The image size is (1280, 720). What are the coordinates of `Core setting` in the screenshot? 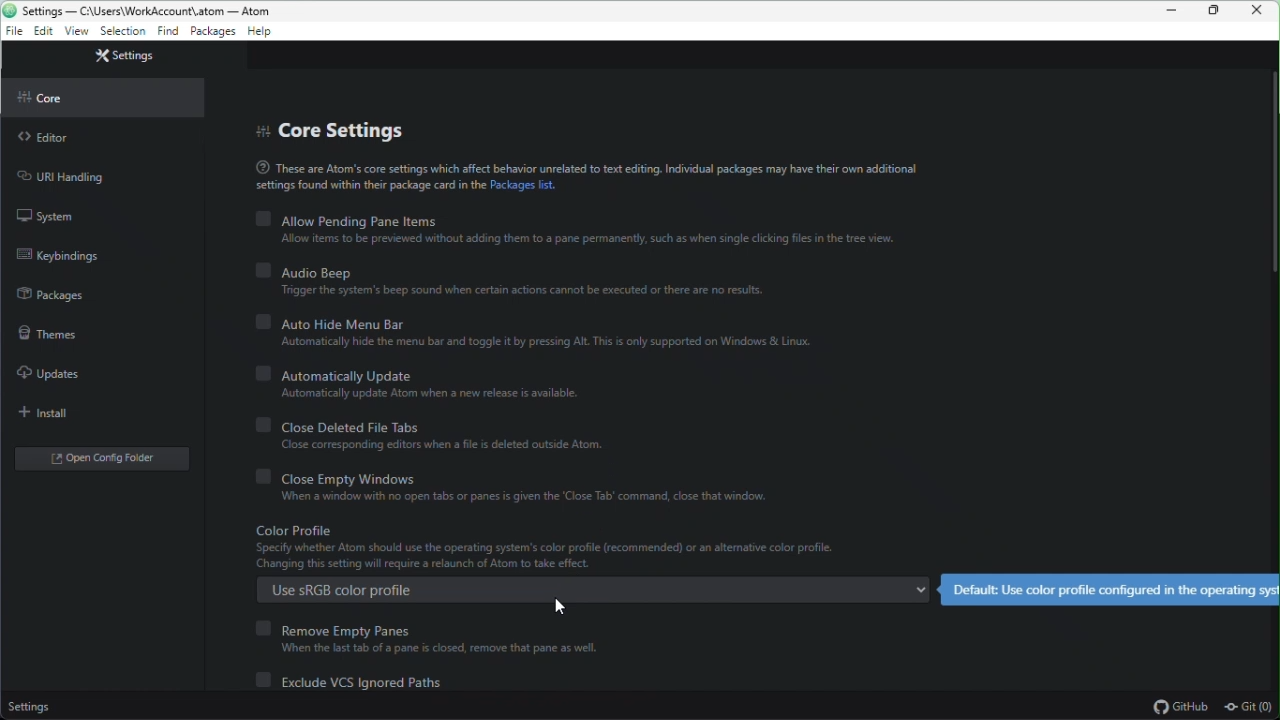 It's located at (348, 129).